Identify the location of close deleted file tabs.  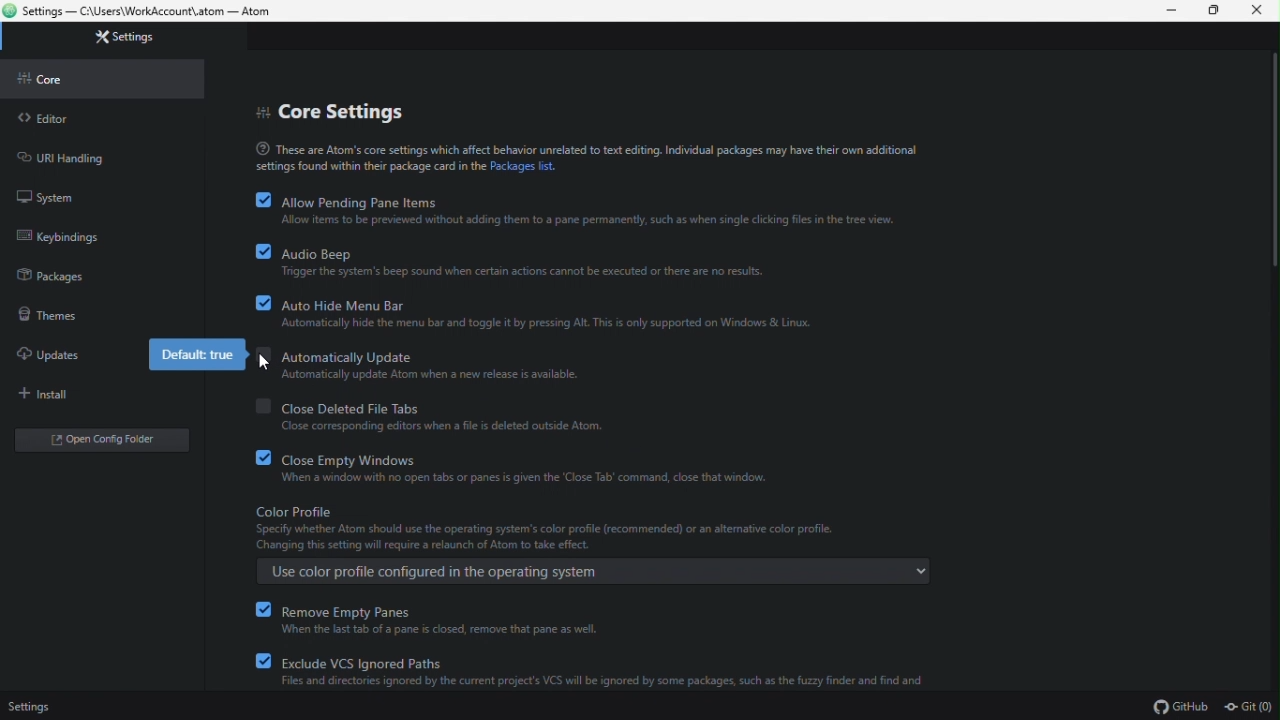
(440, 412).